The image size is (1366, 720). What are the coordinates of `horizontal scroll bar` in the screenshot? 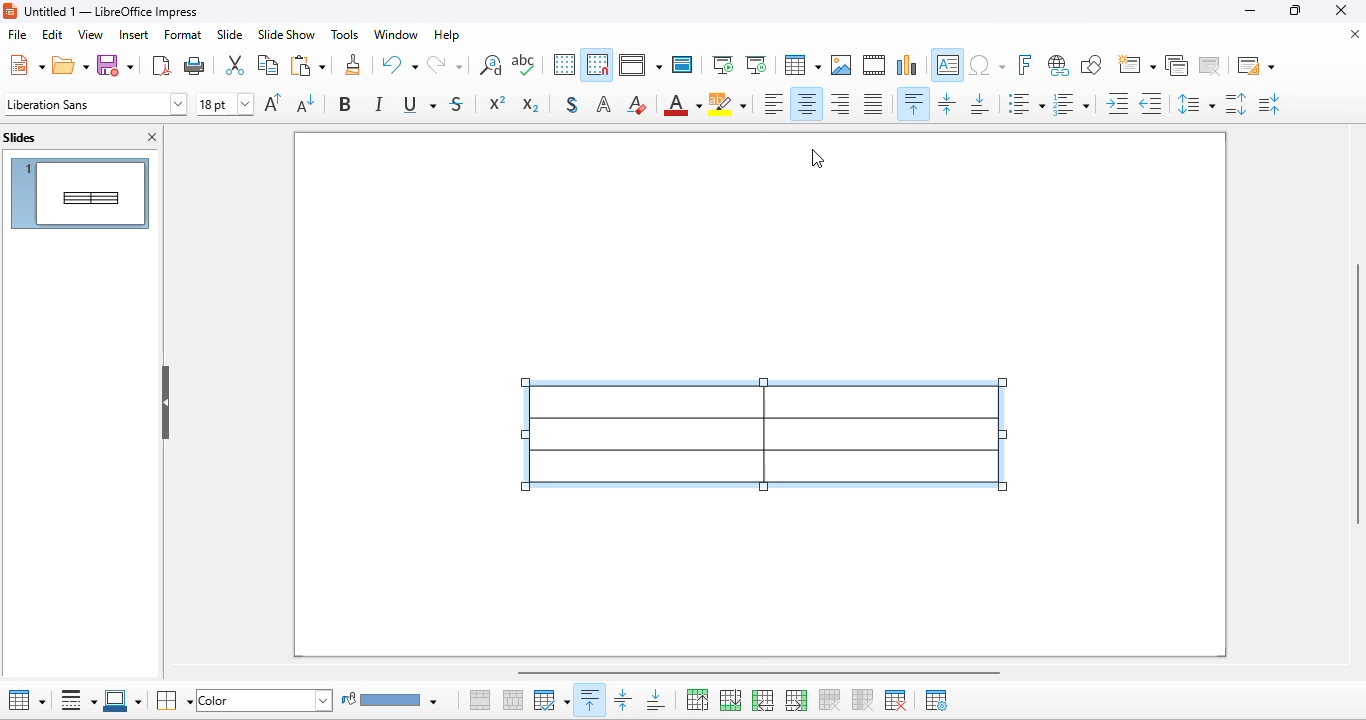 It's located at (762, 672).